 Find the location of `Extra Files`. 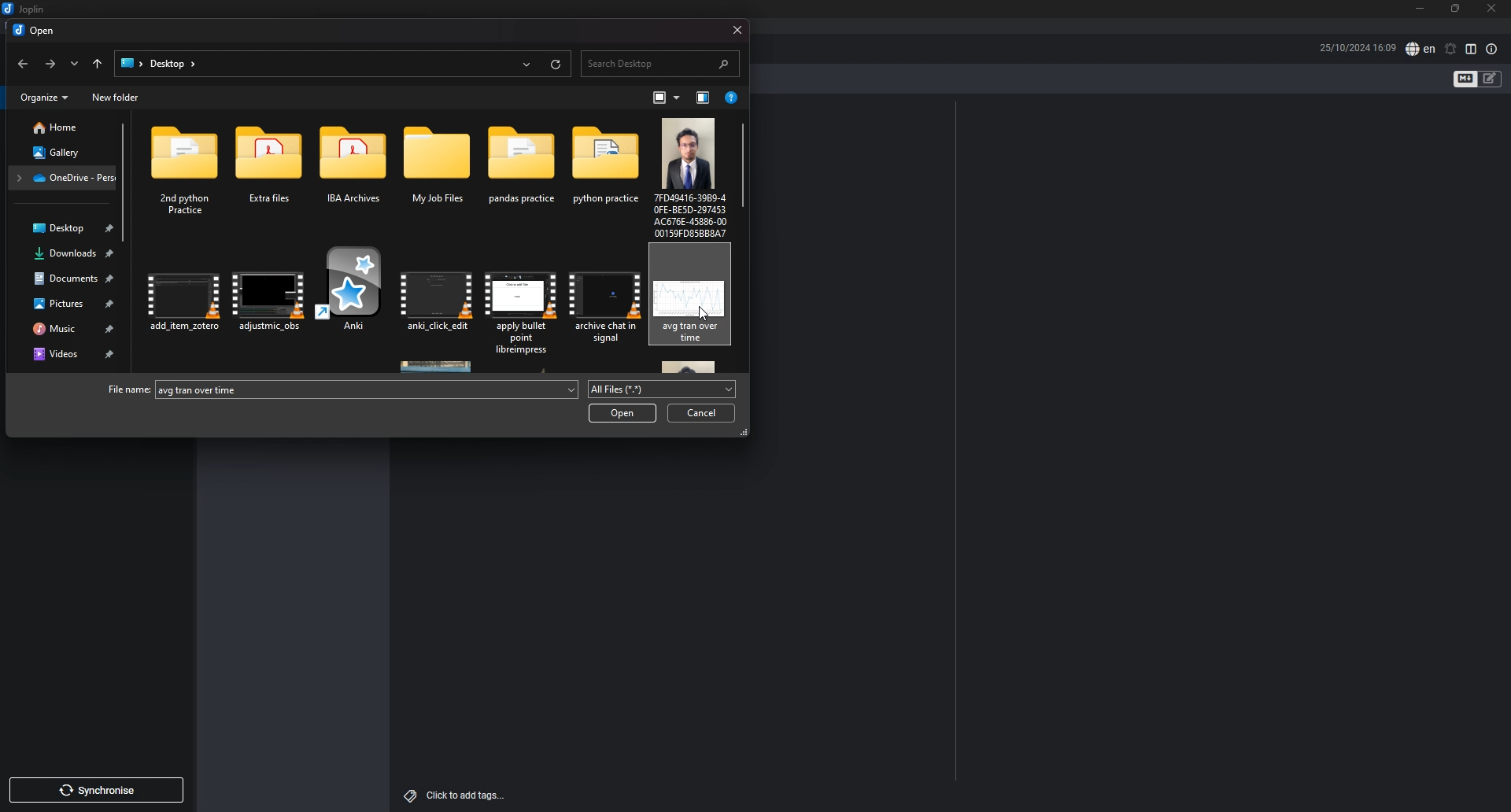

Extra Files is located at coordinates (272, 175).